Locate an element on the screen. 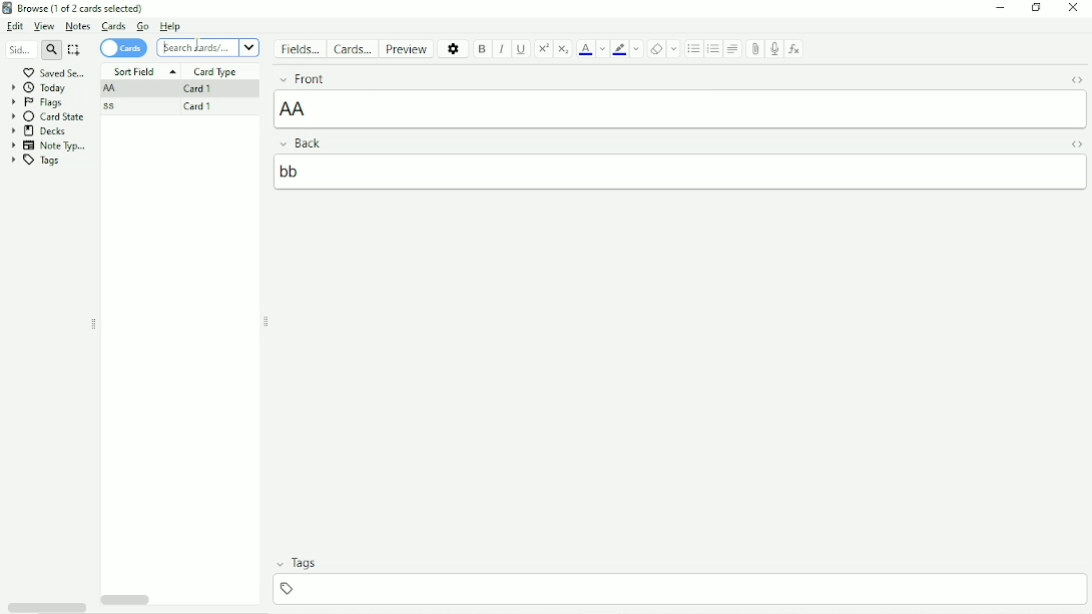 The height and width of the screenshot is (614, 1092). search is located at coordinates (51, 50).